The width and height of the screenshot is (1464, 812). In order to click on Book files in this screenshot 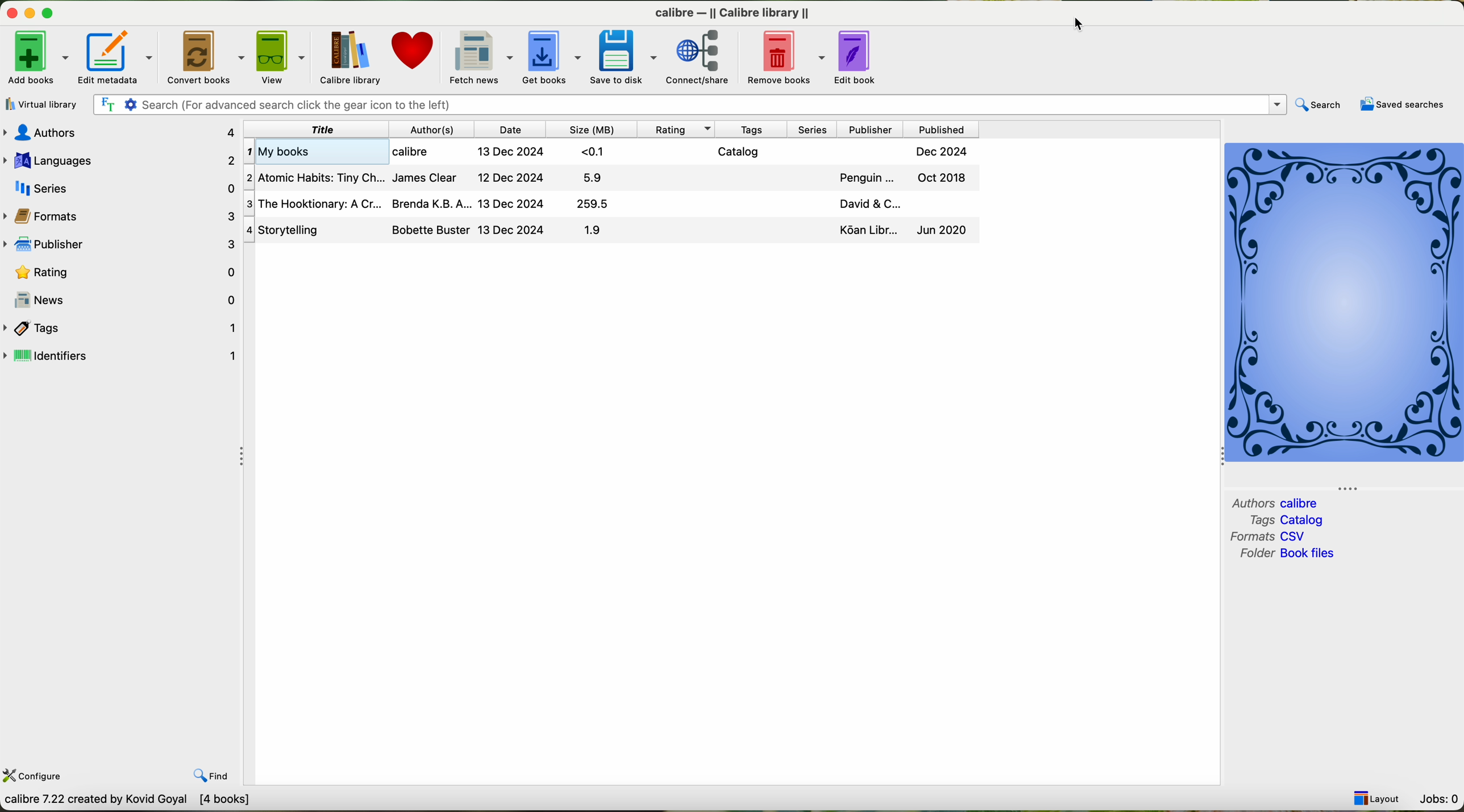, I will do `click(1311, 553)`.